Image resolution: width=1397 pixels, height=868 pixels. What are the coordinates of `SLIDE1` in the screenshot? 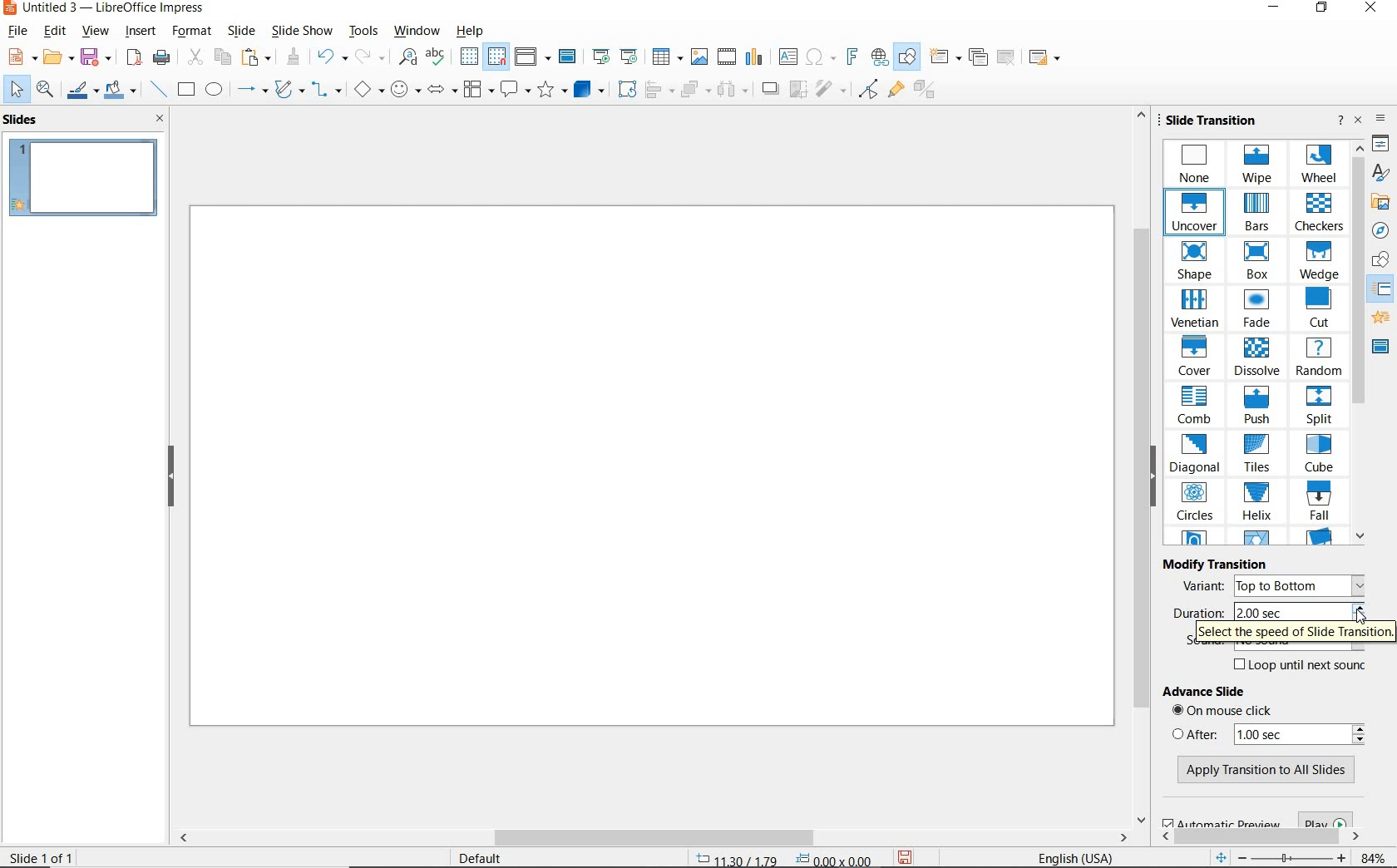 It's located at (86, 183).